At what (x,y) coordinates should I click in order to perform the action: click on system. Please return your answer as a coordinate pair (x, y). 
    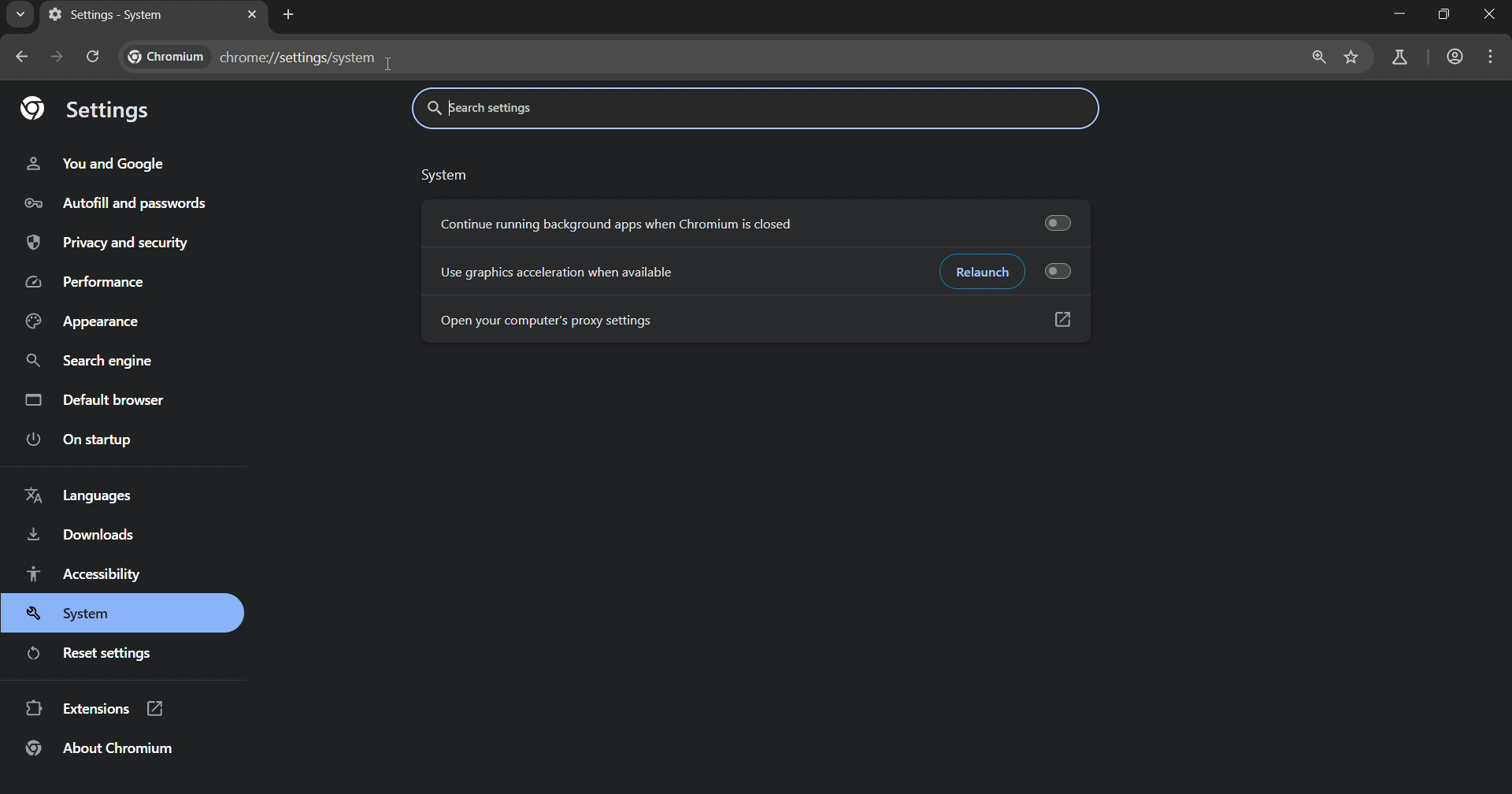
    Looking at the image, I should click on (83, 616).